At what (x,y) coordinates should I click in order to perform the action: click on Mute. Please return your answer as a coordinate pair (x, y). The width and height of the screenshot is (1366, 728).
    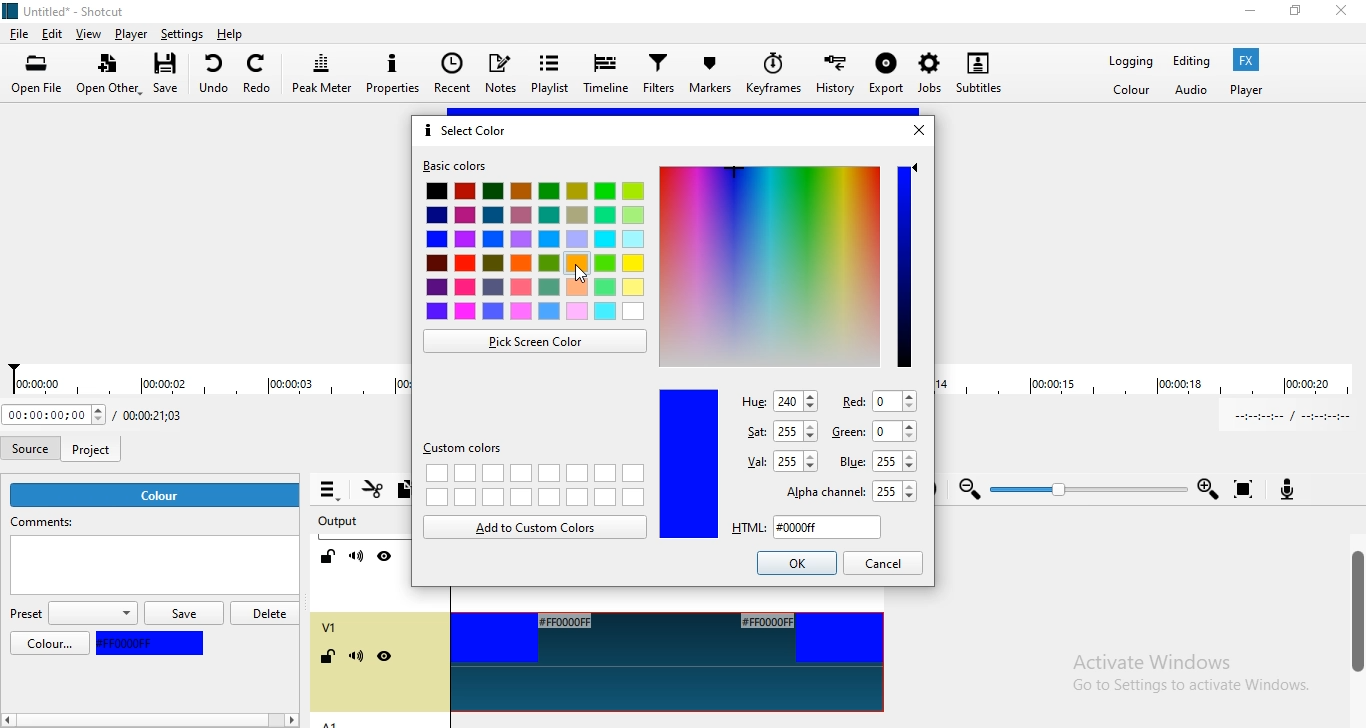
    Looking at the image, I should click on (357, 557).